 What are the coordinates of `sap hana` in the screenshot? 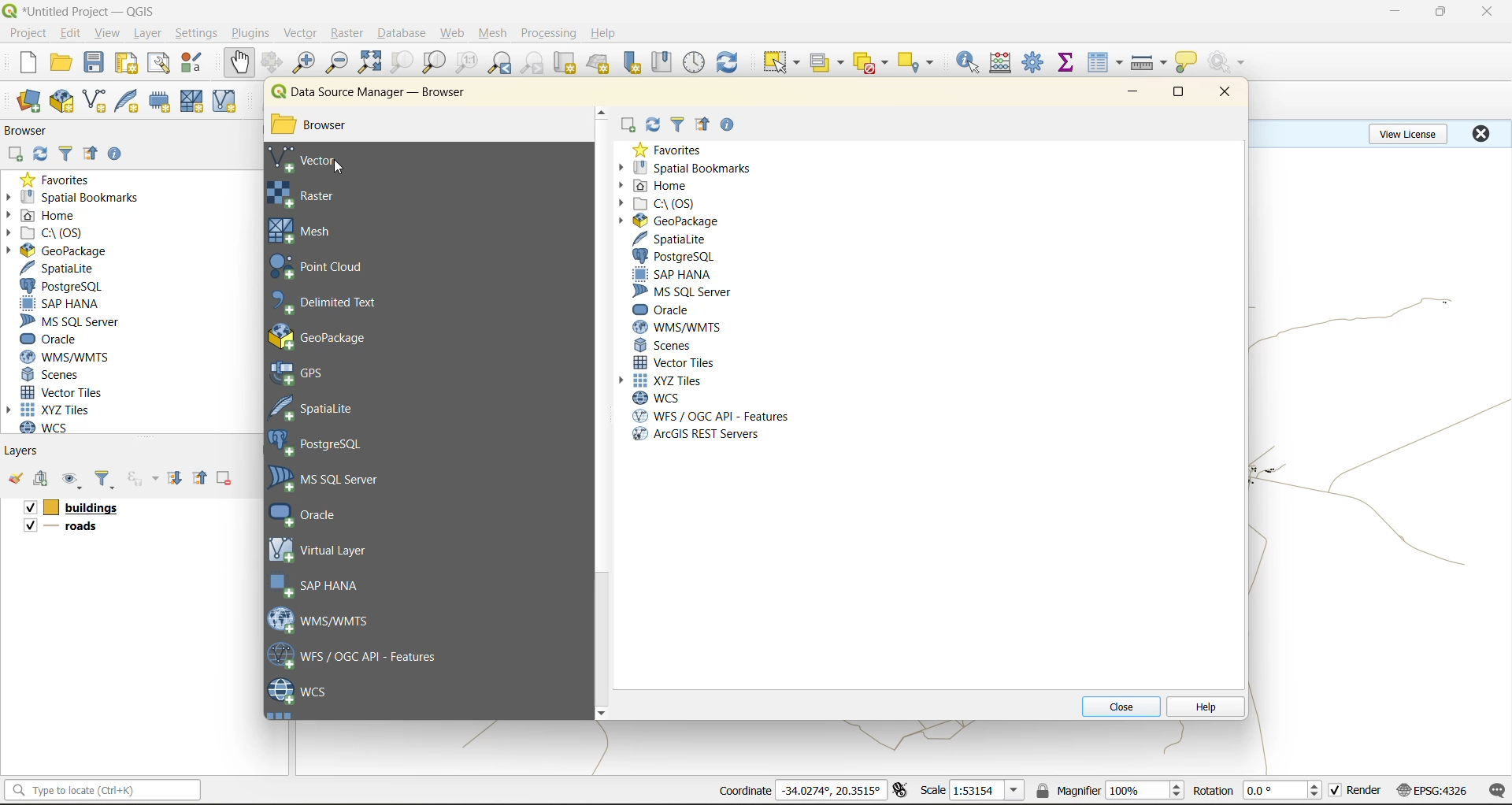 It's located at (672, 273).